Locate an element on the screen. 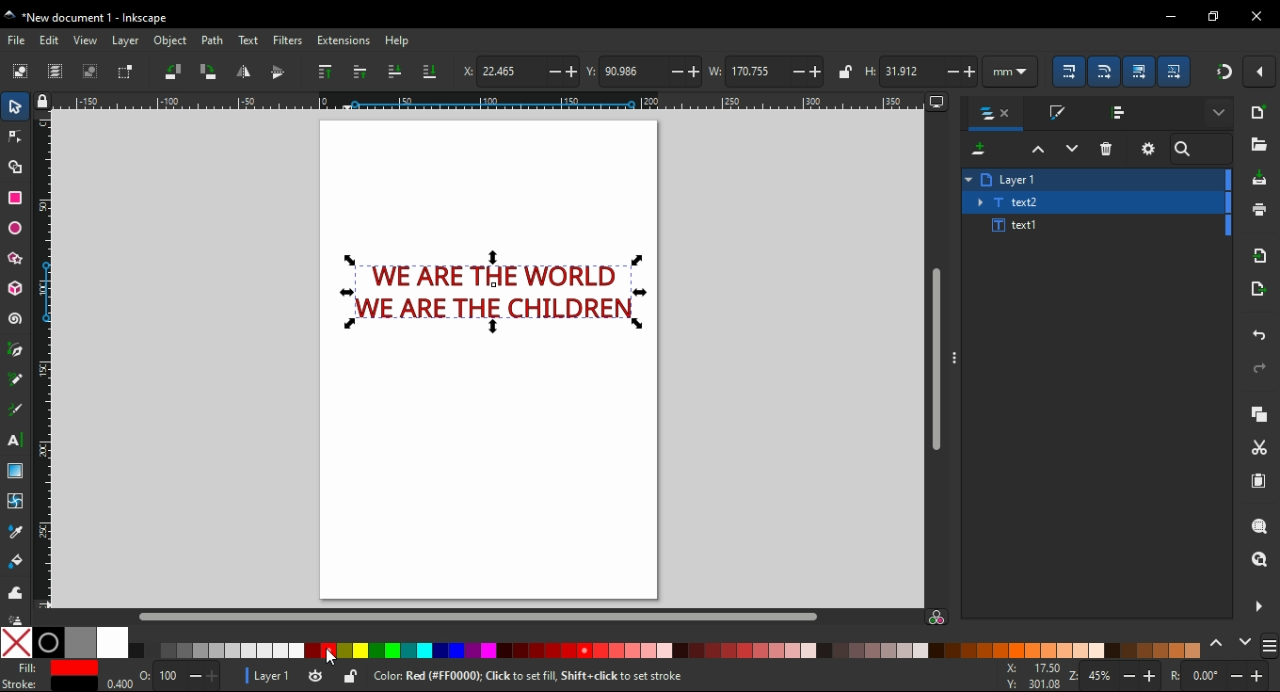  close side panel is located at coordinates (1257, 607).